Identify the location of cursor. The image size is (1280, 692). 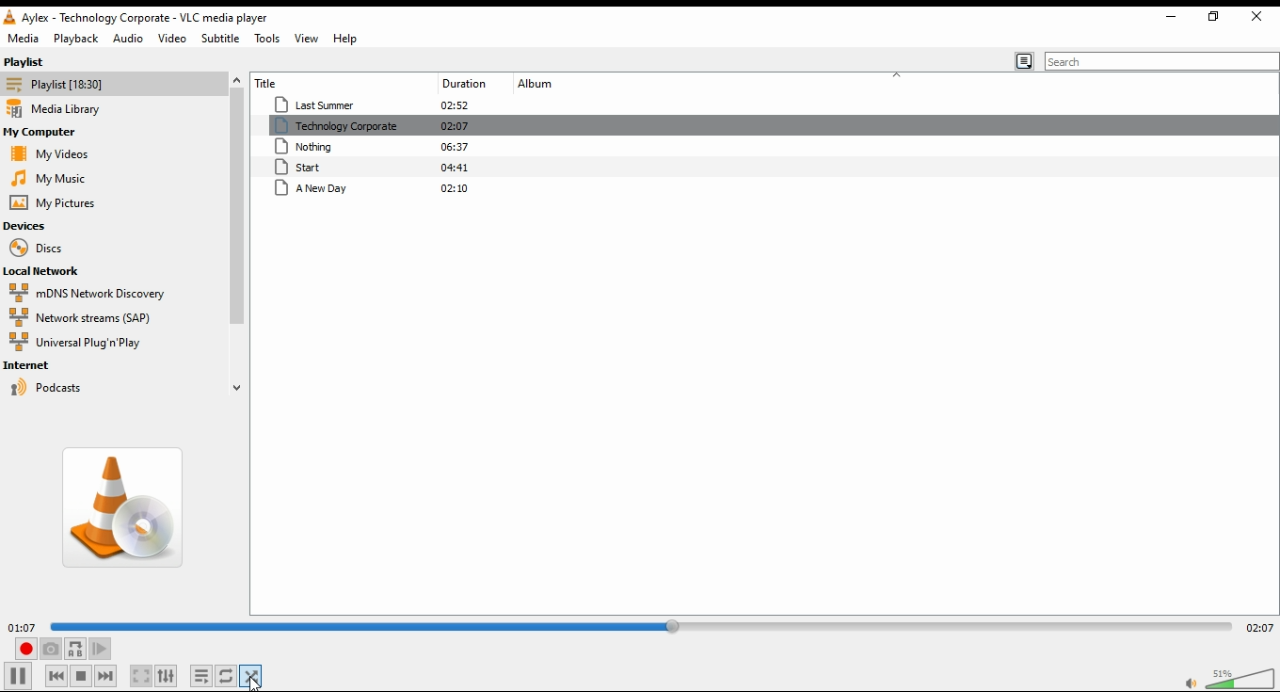
(255, 682).